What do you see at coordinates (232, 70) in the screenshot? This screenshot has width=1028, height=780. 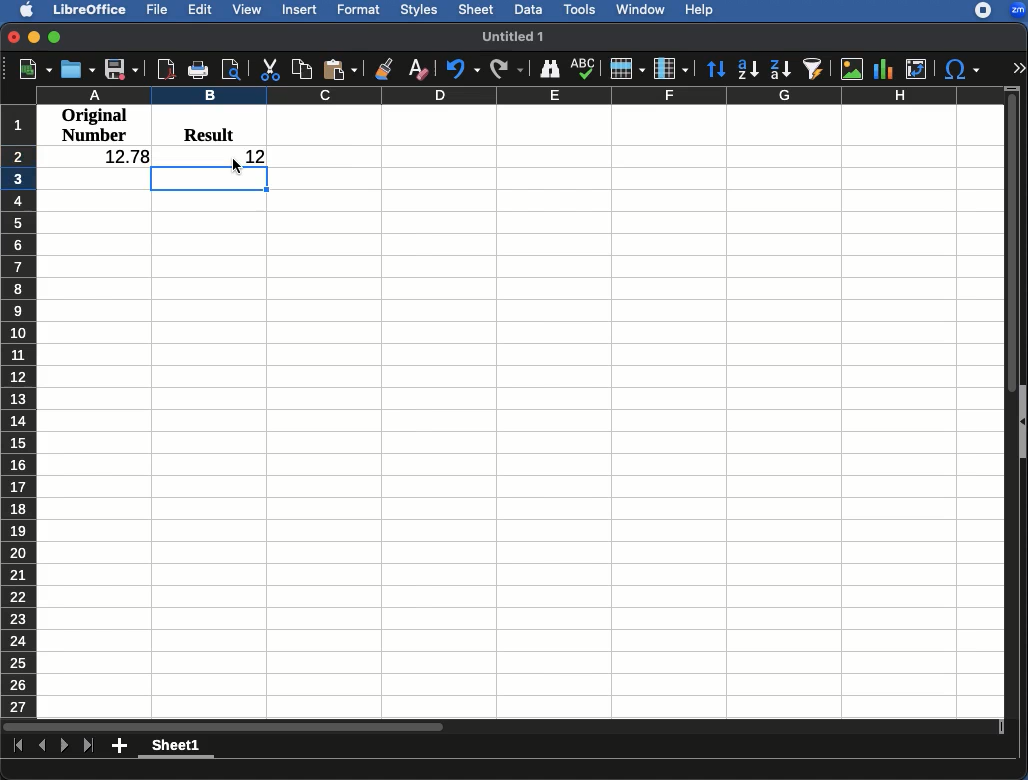 I see `Print preview ` at bounding box center [232, 70].